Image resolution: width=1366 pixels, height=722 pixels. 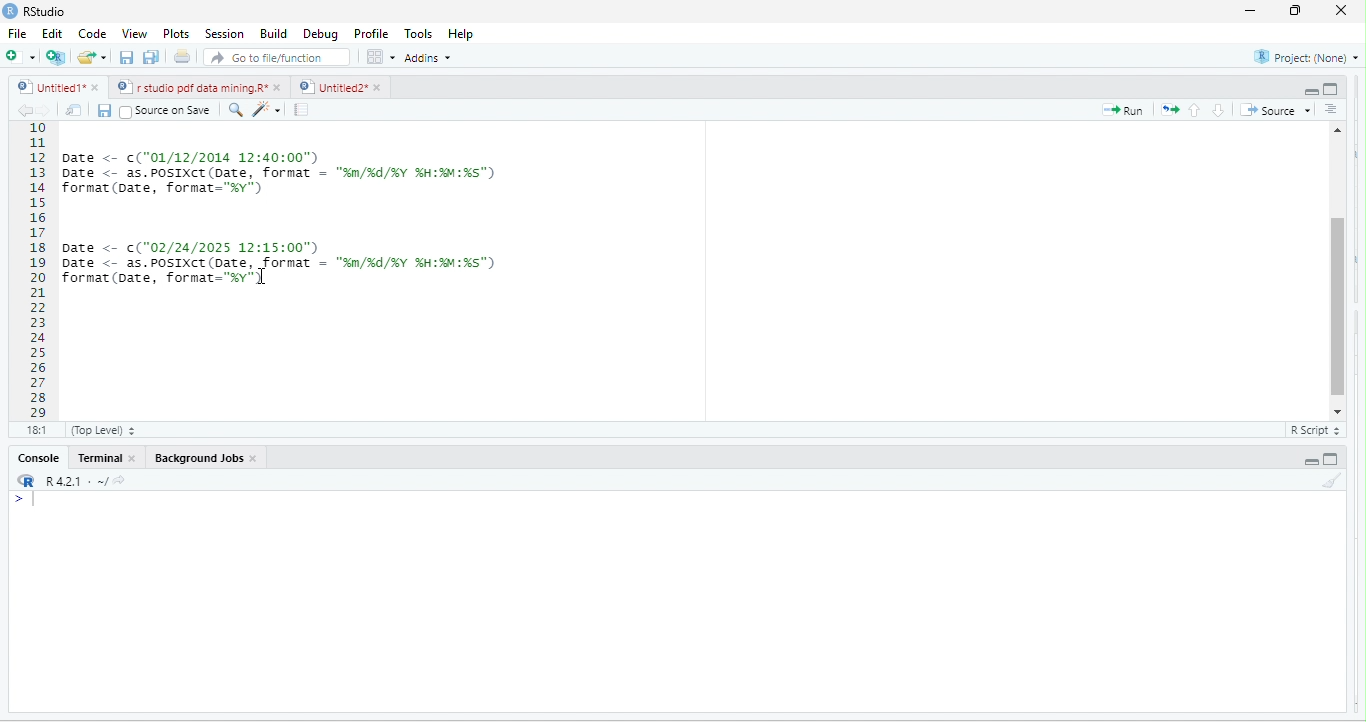 What do you see at coordinates (272, 35) in the screenshot?
I see `Build` at bounding box center [272, 35].